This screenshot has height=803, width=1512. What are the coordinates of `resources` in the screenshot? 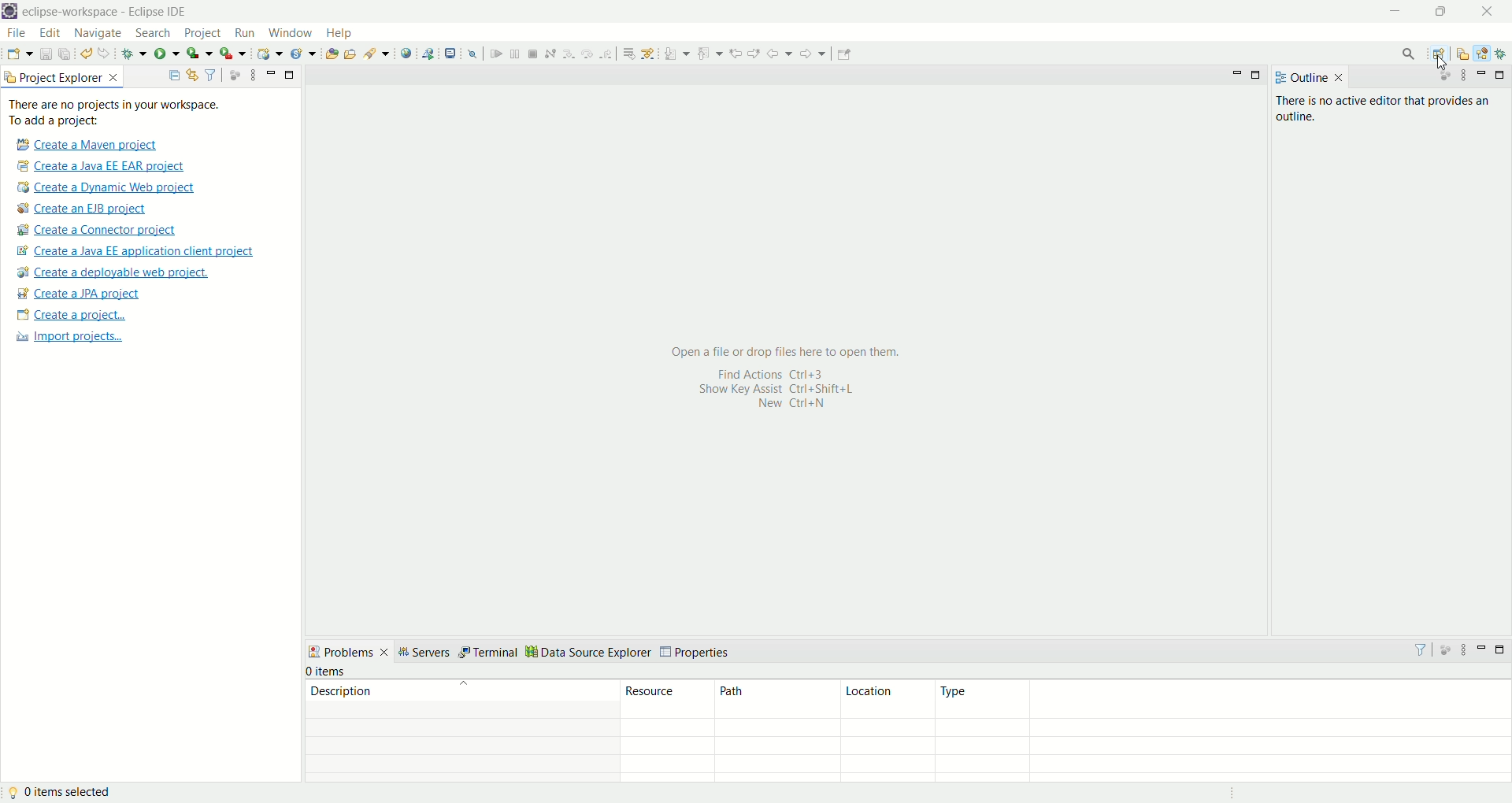 It's located at (668, 734).